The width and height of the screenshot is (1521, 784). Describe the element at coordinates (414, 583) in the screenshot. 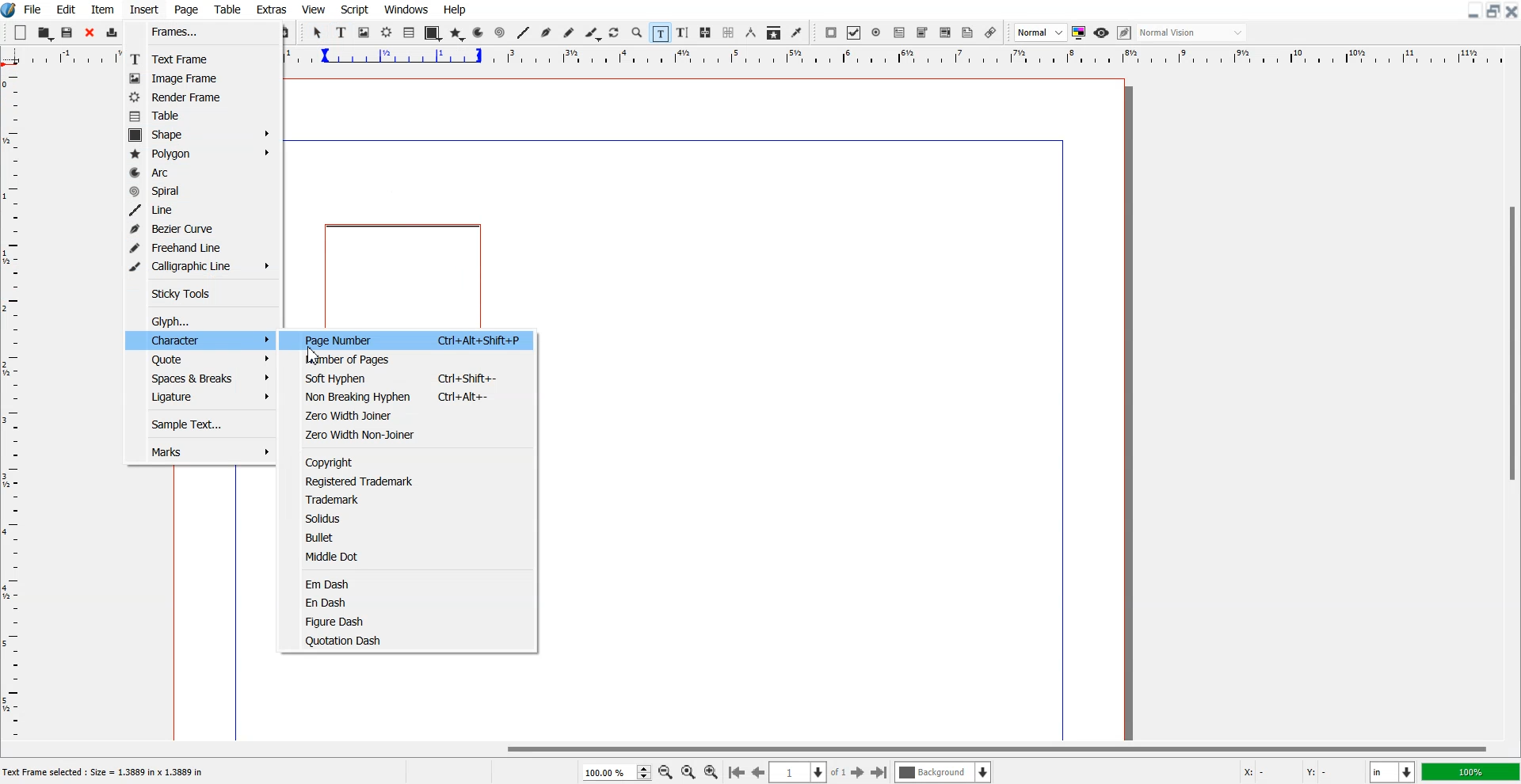

I see `Em Dash` at that location.